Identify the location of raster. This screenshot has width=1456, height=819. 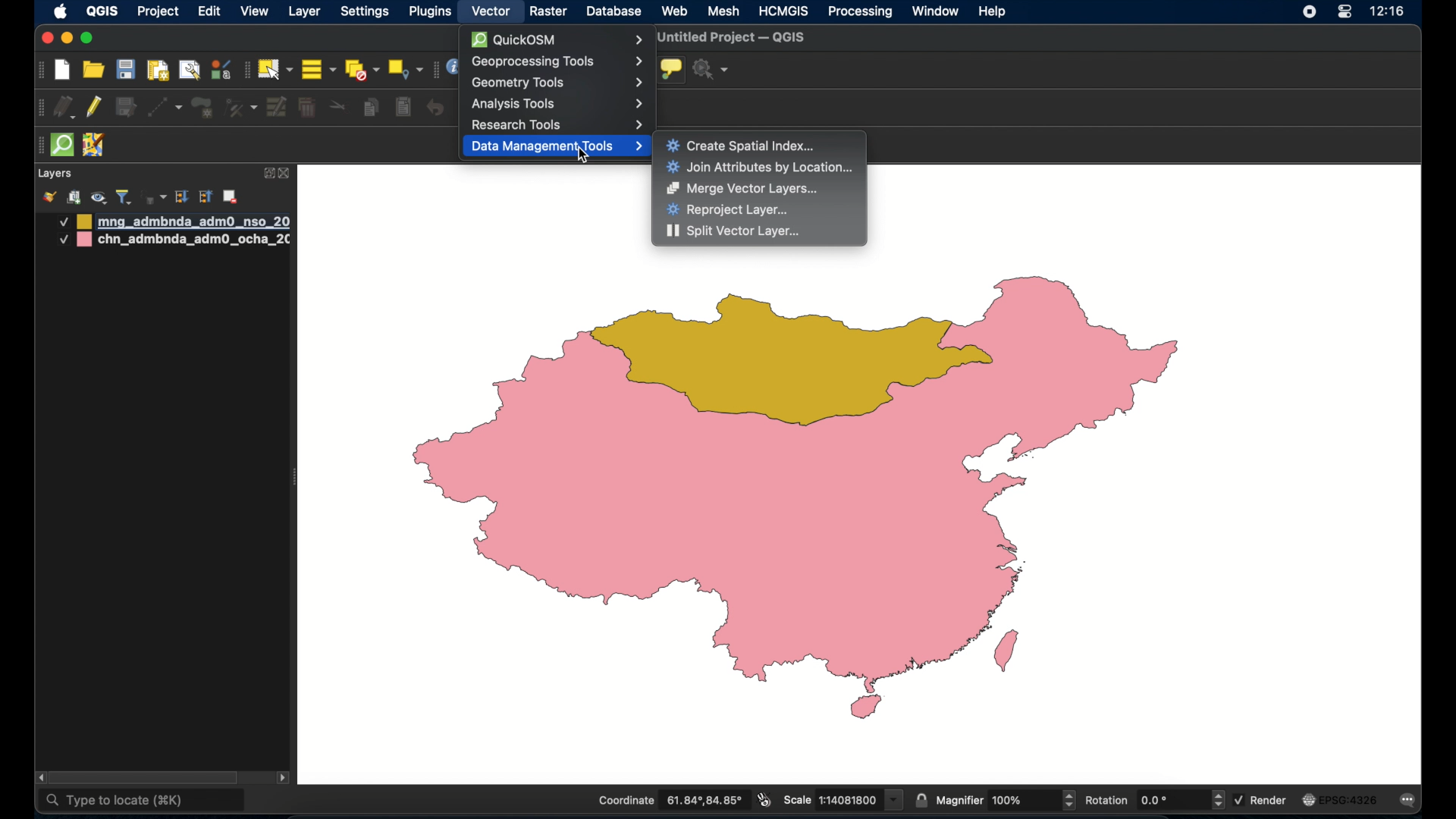
(548, 12).